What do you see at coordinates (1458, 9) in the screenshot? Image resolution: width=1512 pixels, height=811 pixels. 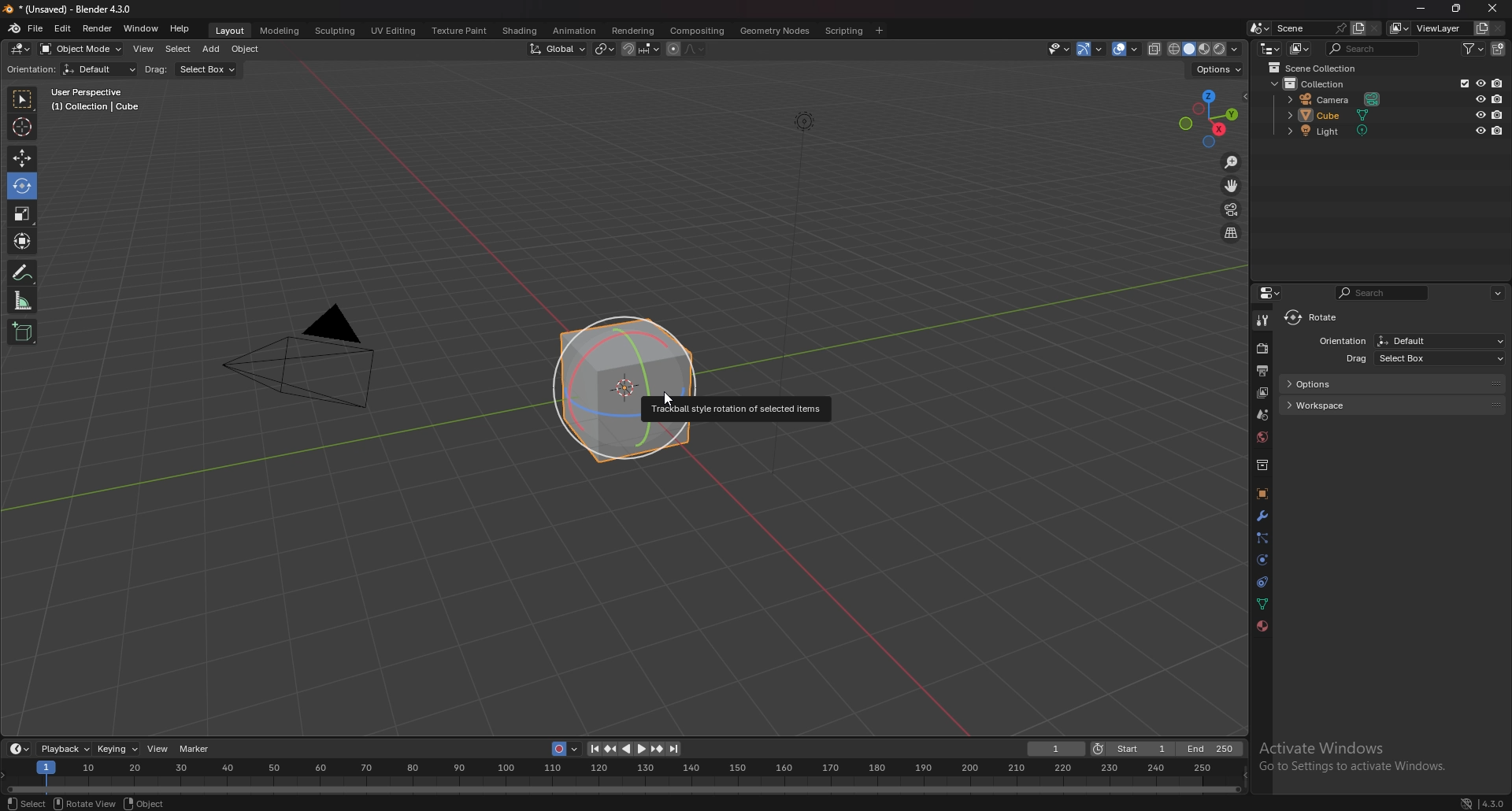 I see `Maximize` at bounding box center [1458, 9].